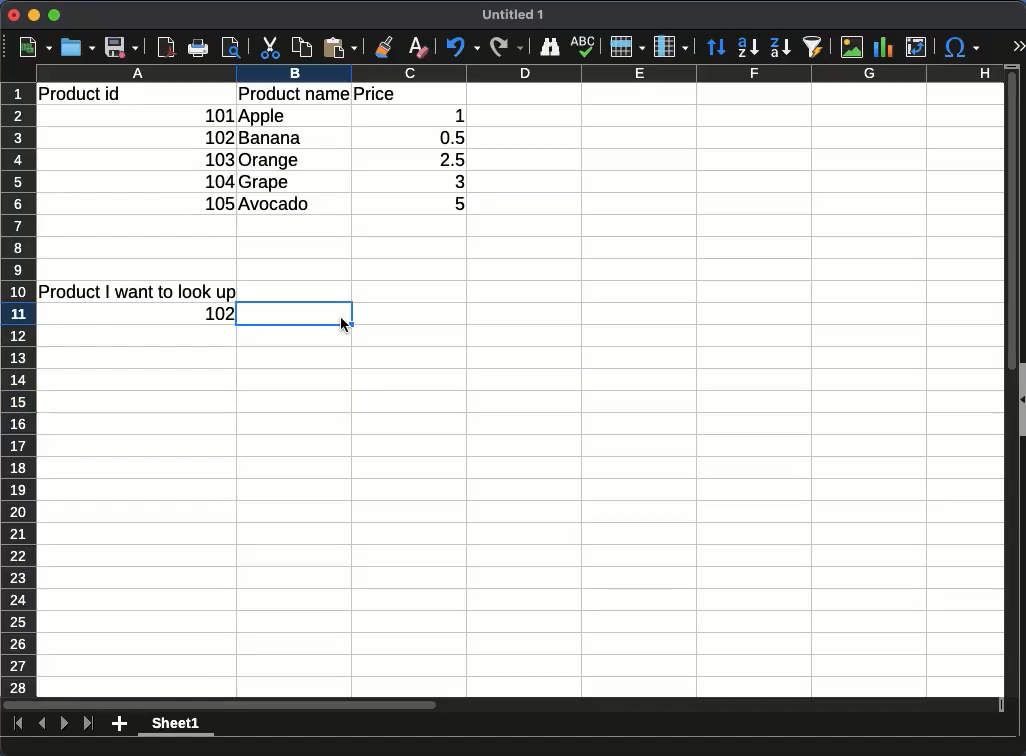 The image size is (1026, 756). I want to click on open, so click(78, 47).